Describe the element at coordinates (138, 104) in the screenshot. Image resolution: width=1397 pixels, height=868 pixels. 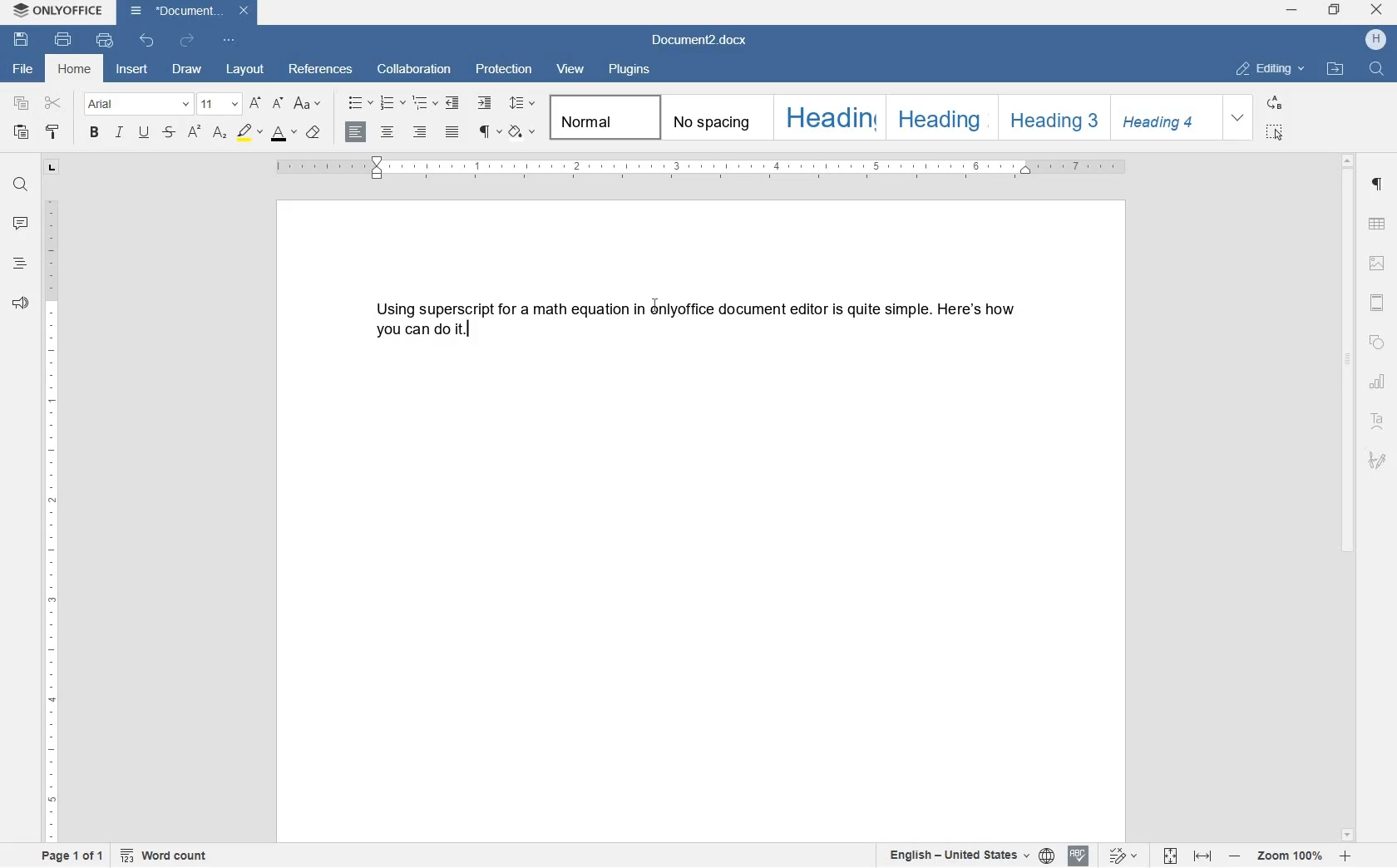
I see `font name` at that location.